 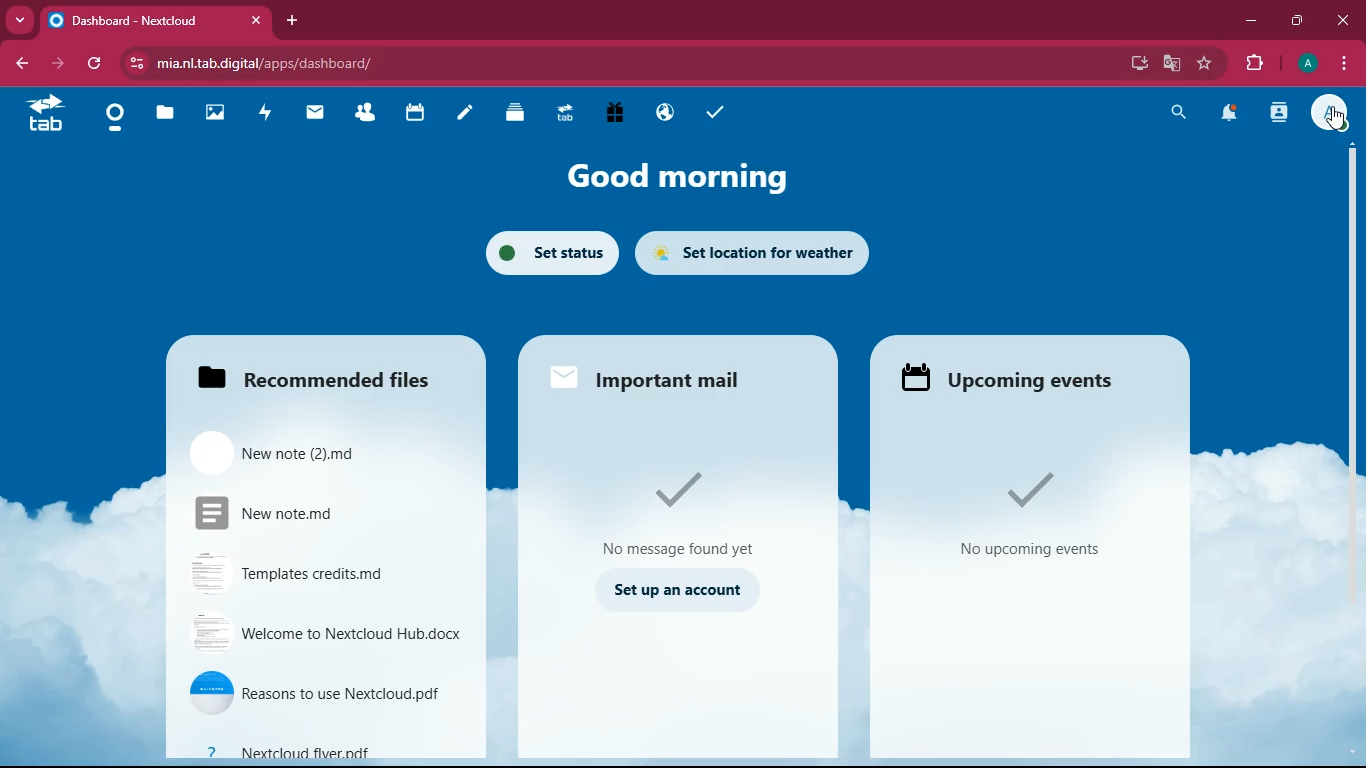 I want to click on layers, so click(x=515, y=115).